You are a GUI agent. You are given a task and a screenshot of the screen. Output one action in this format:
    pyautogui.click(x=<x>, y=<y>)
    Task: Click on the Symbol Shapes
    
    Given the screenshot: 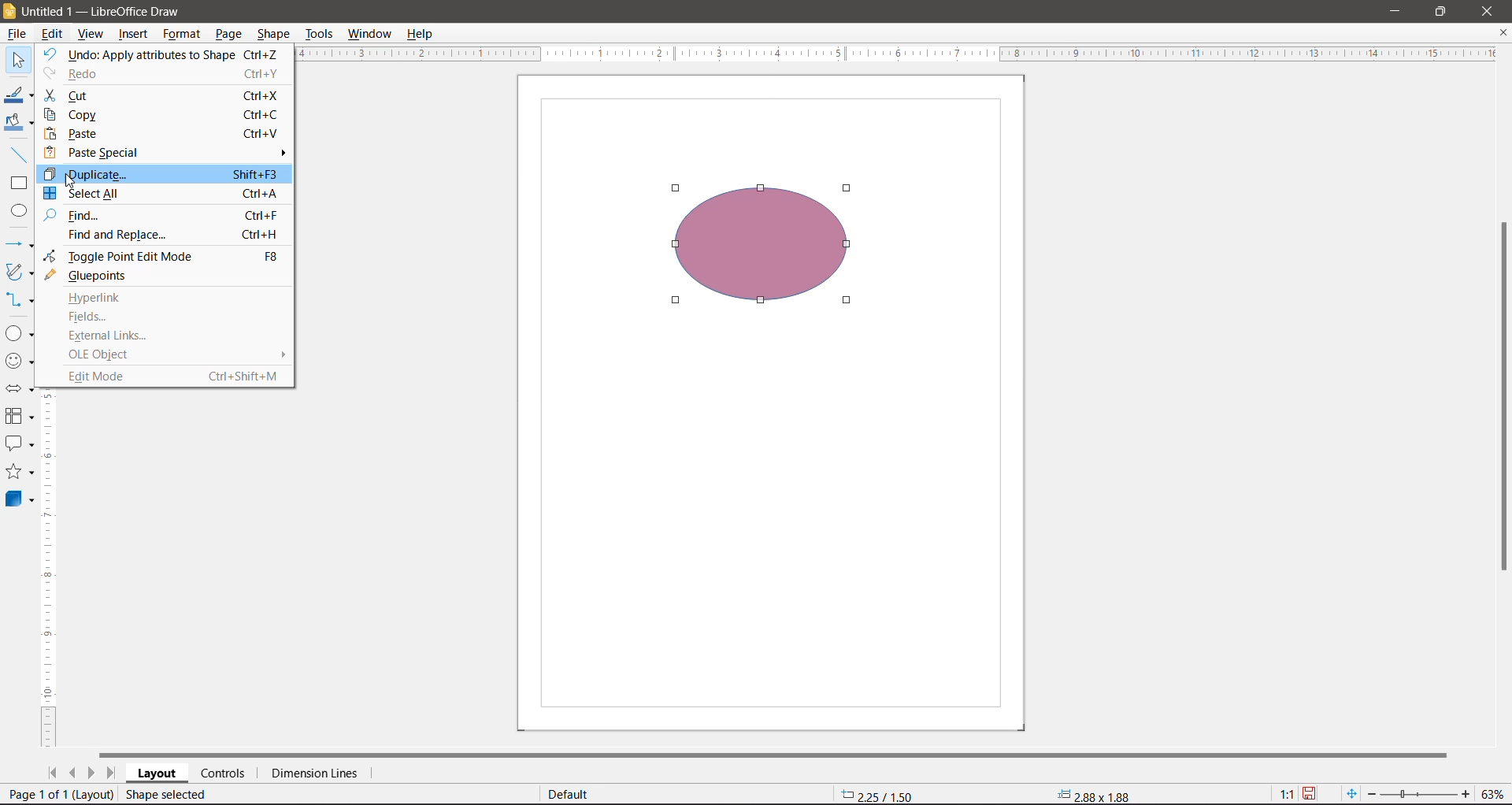 What is the action you would take?
    pyautogui.click(x=22, y=363)
    